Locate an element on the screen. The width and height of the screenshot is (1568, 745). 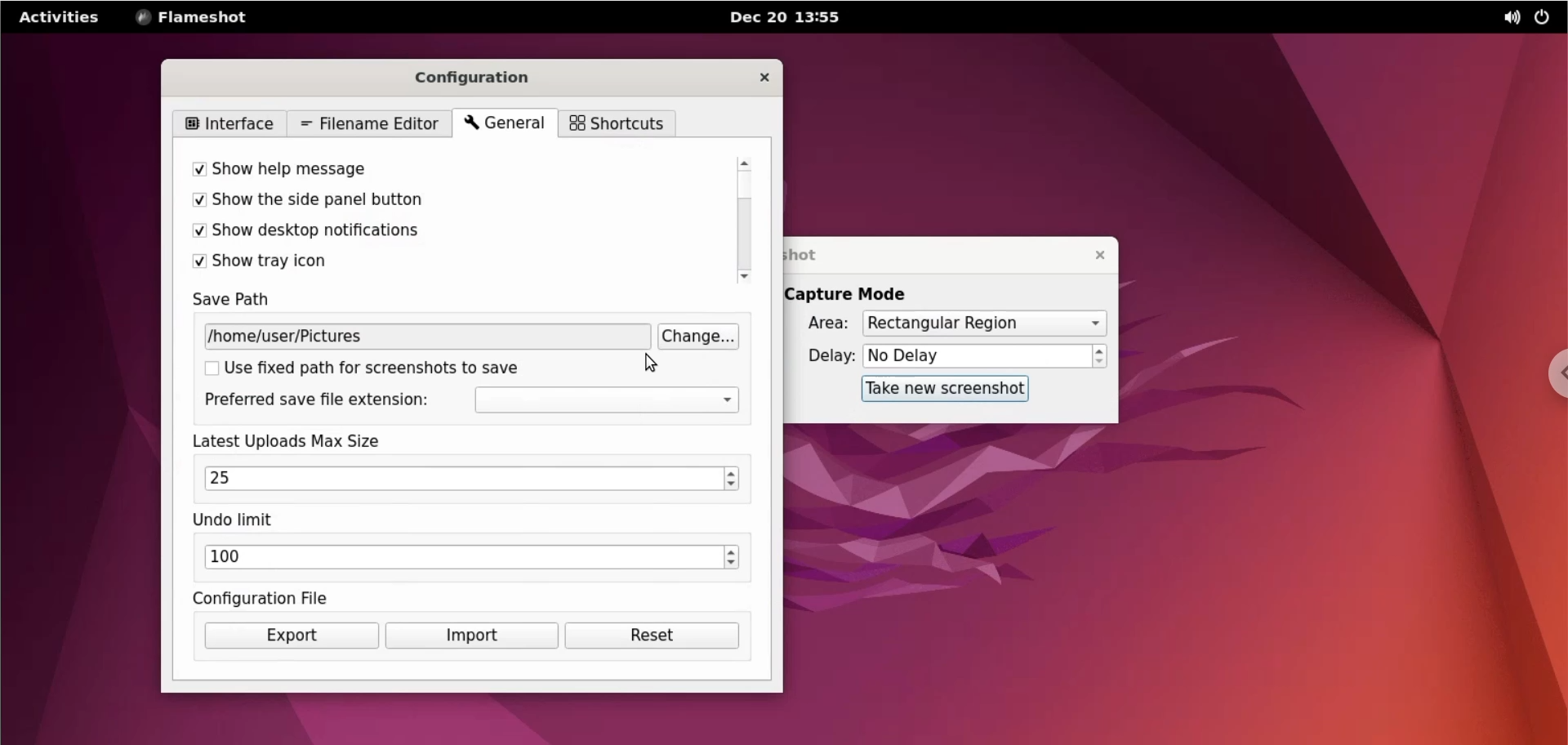
default upload max size value is located at coordinates (222, 480).